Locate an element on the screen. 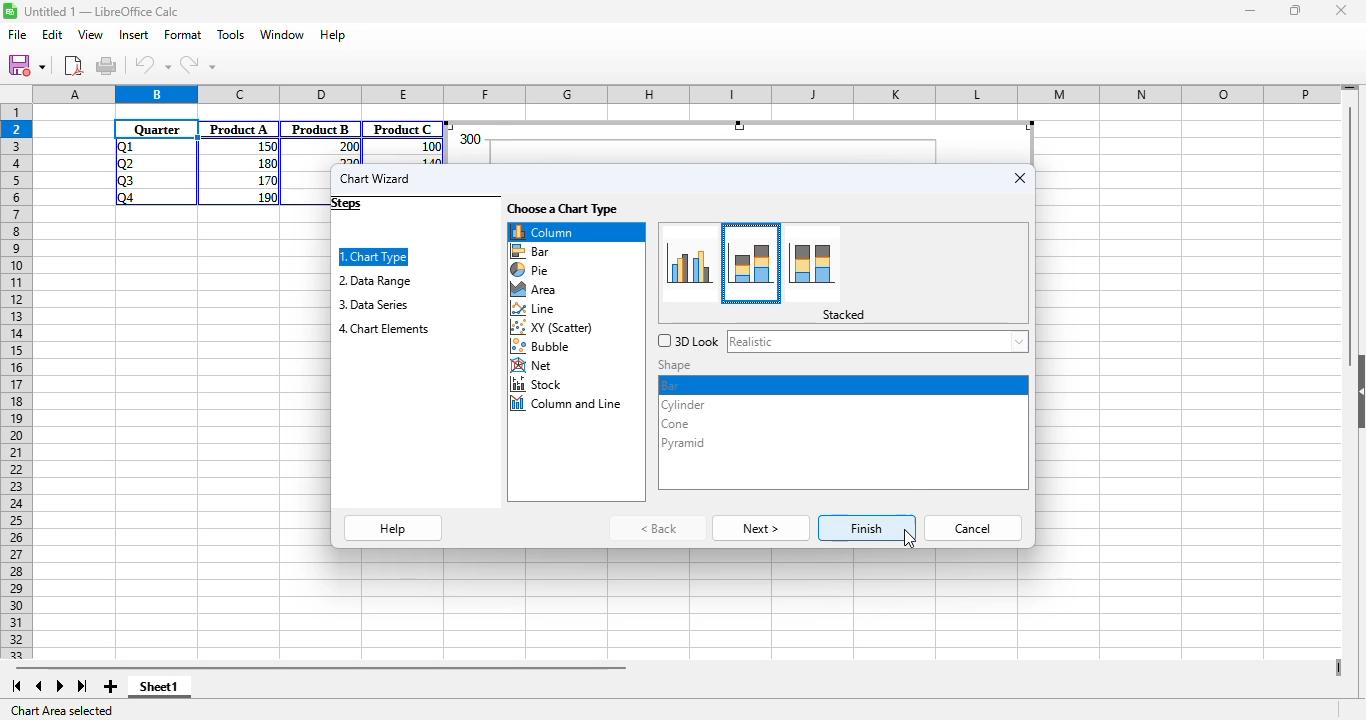  pyramid is located at coordinates (684, 442).